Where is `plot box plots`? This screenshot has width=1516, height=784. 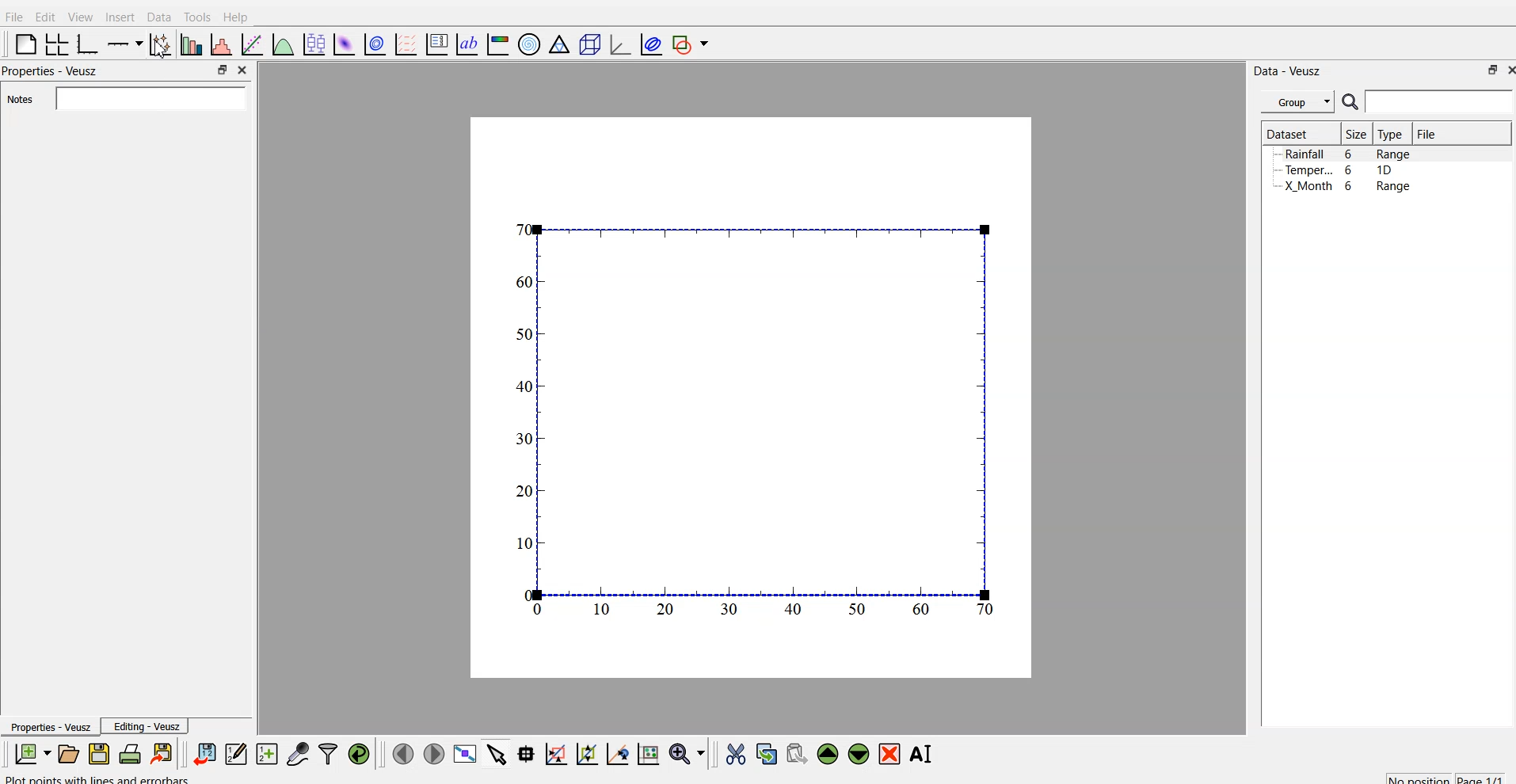 plot box plots is located at coordinates (314, 43).